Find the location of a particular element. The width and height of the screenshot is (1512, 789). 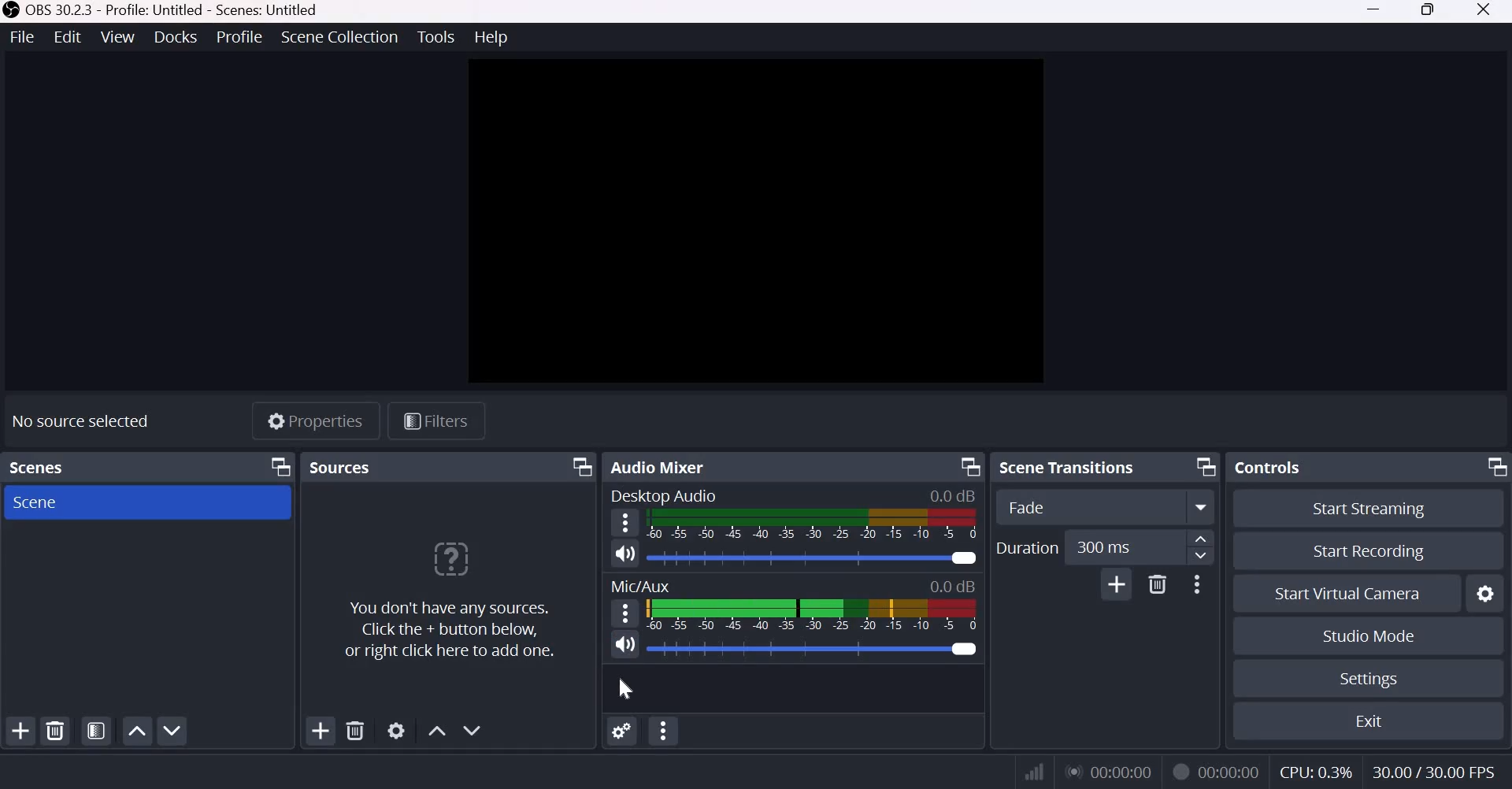

increase is located at coordinates (1201, 540).